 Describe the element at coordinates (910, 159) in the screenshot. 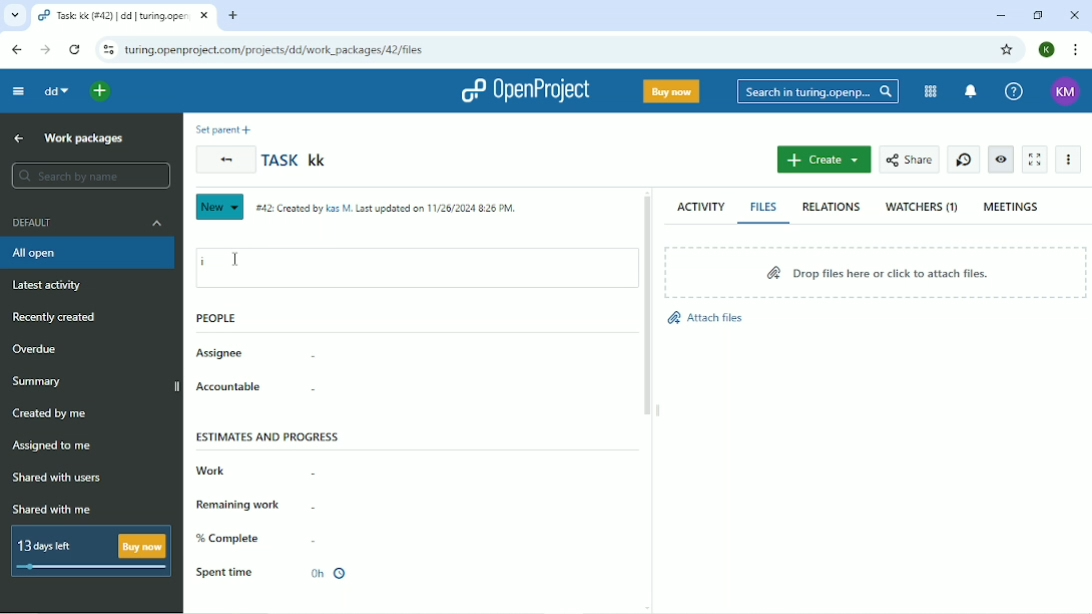

I see `Share` at that location.